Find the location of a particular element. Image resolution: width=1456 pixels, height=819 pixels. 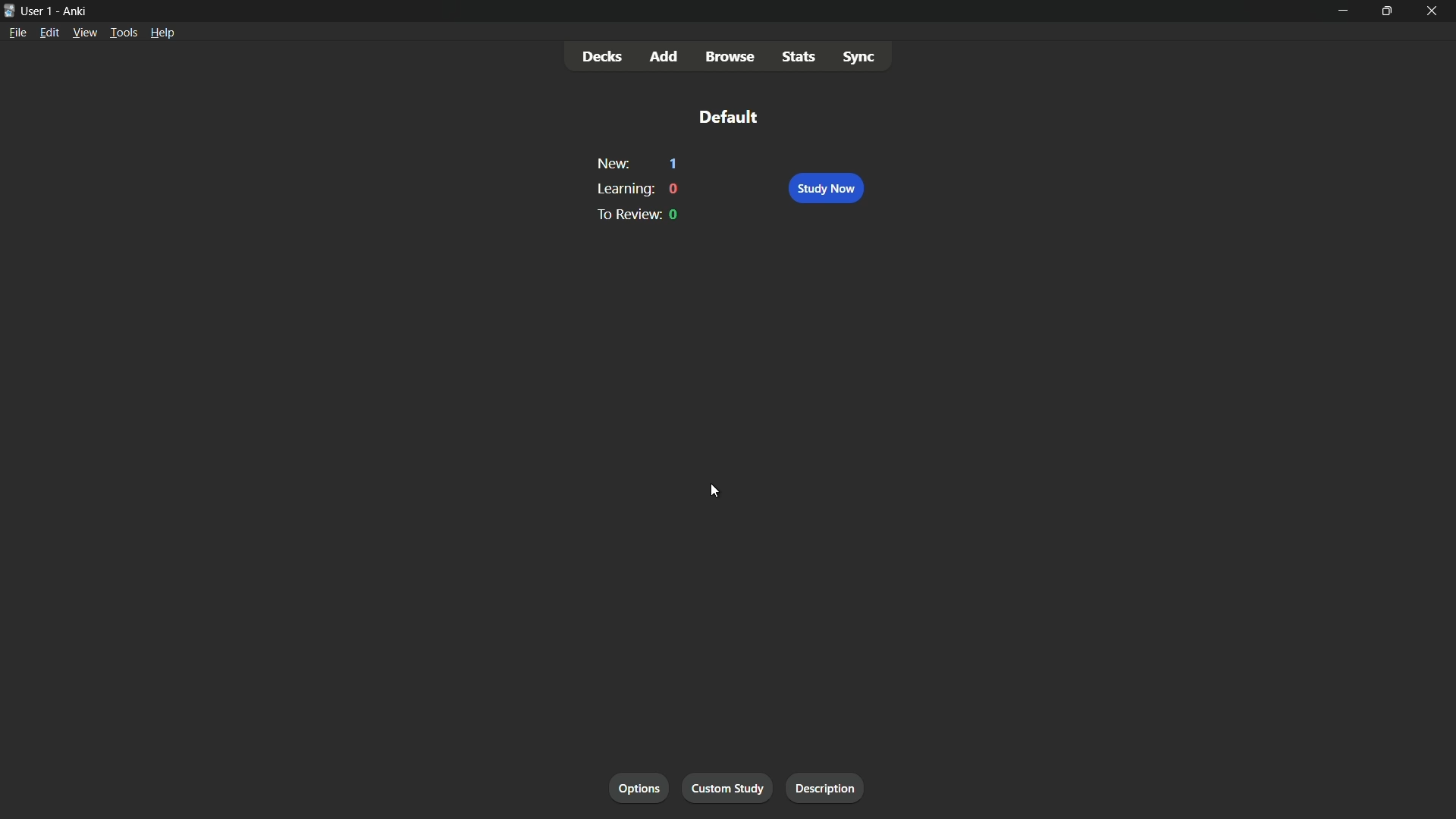

view is located at coordinates (85, 33).